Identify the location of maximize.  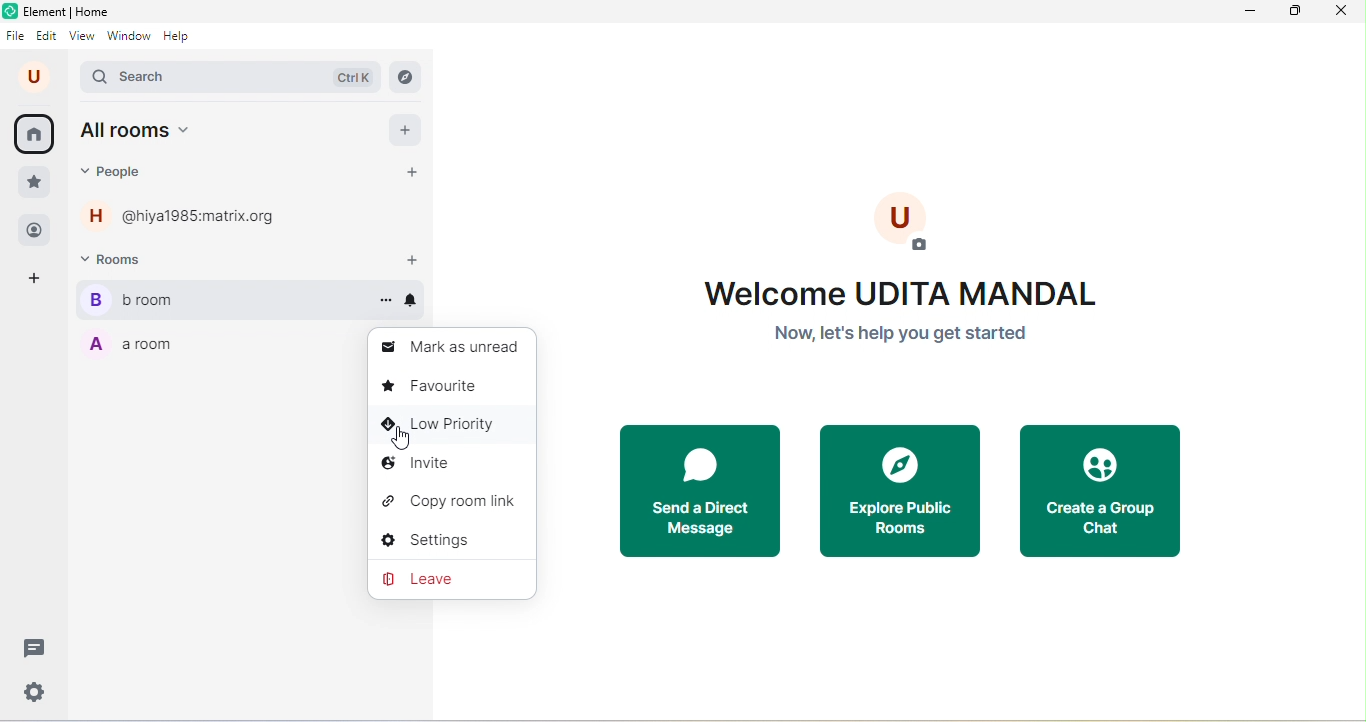
(1293, 11).